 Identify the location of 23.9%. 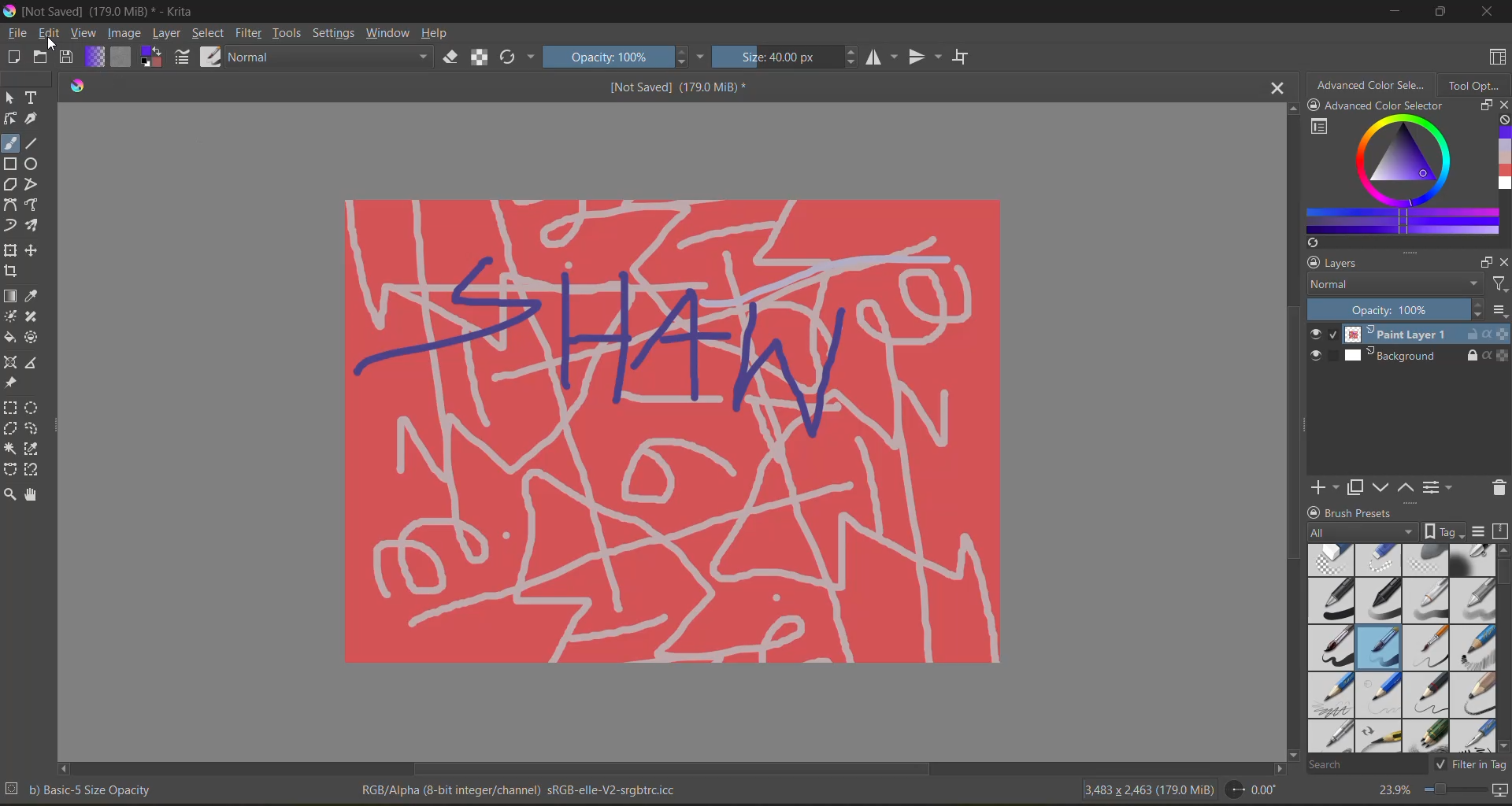
(1393, 790).